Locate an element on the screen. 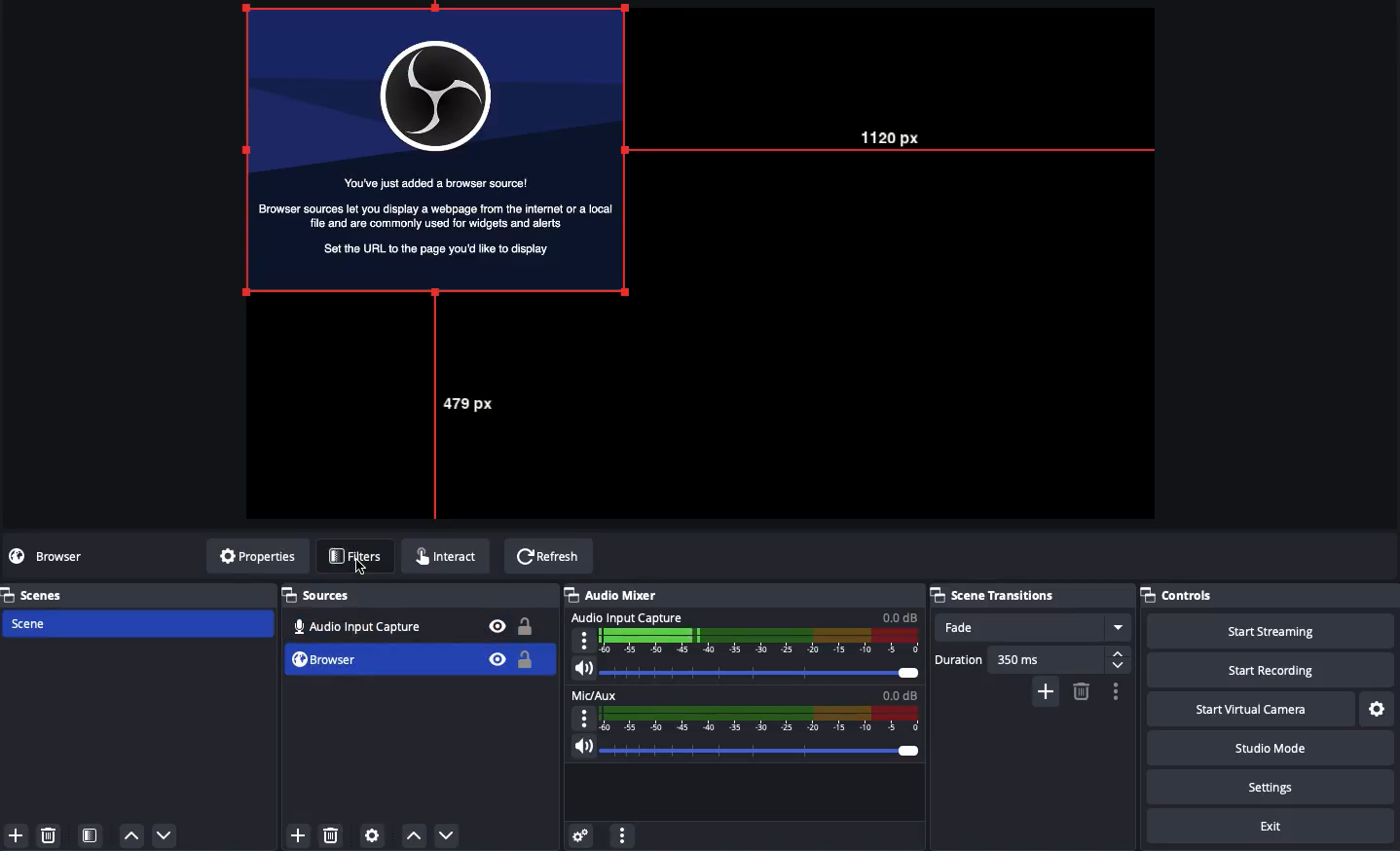 Image resolution: width=1400 pixels, height=851 pixels. Exit is located at coordinates (1274, 826).